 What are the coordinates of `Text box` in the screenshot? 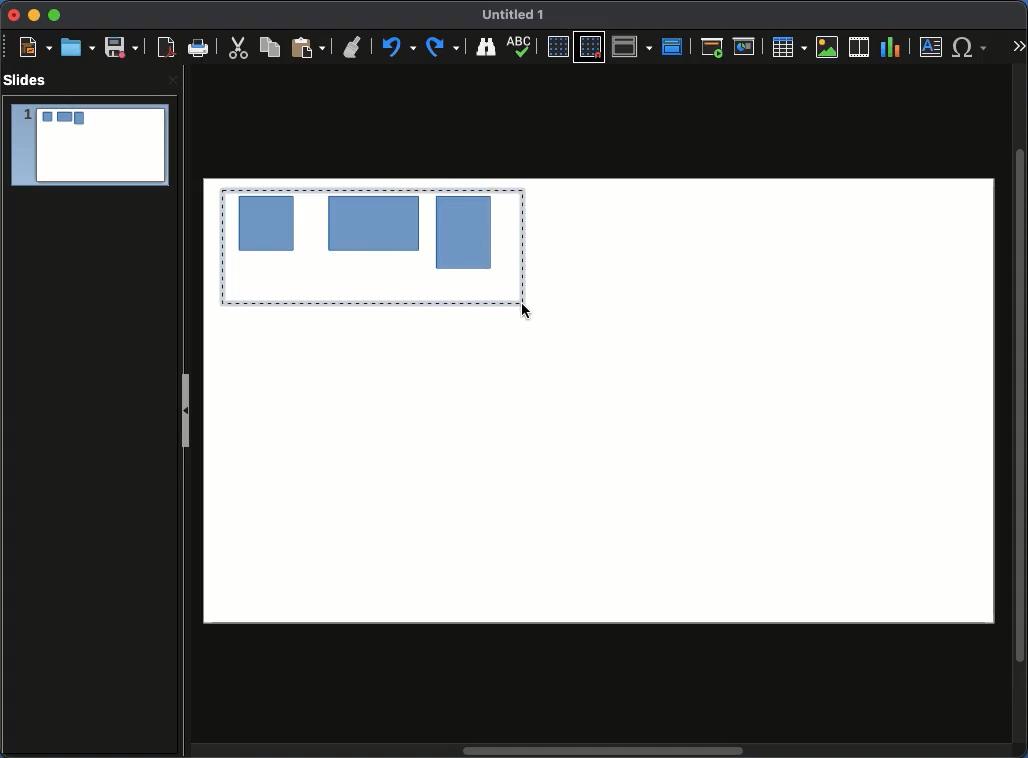 It's located at (932, 47).